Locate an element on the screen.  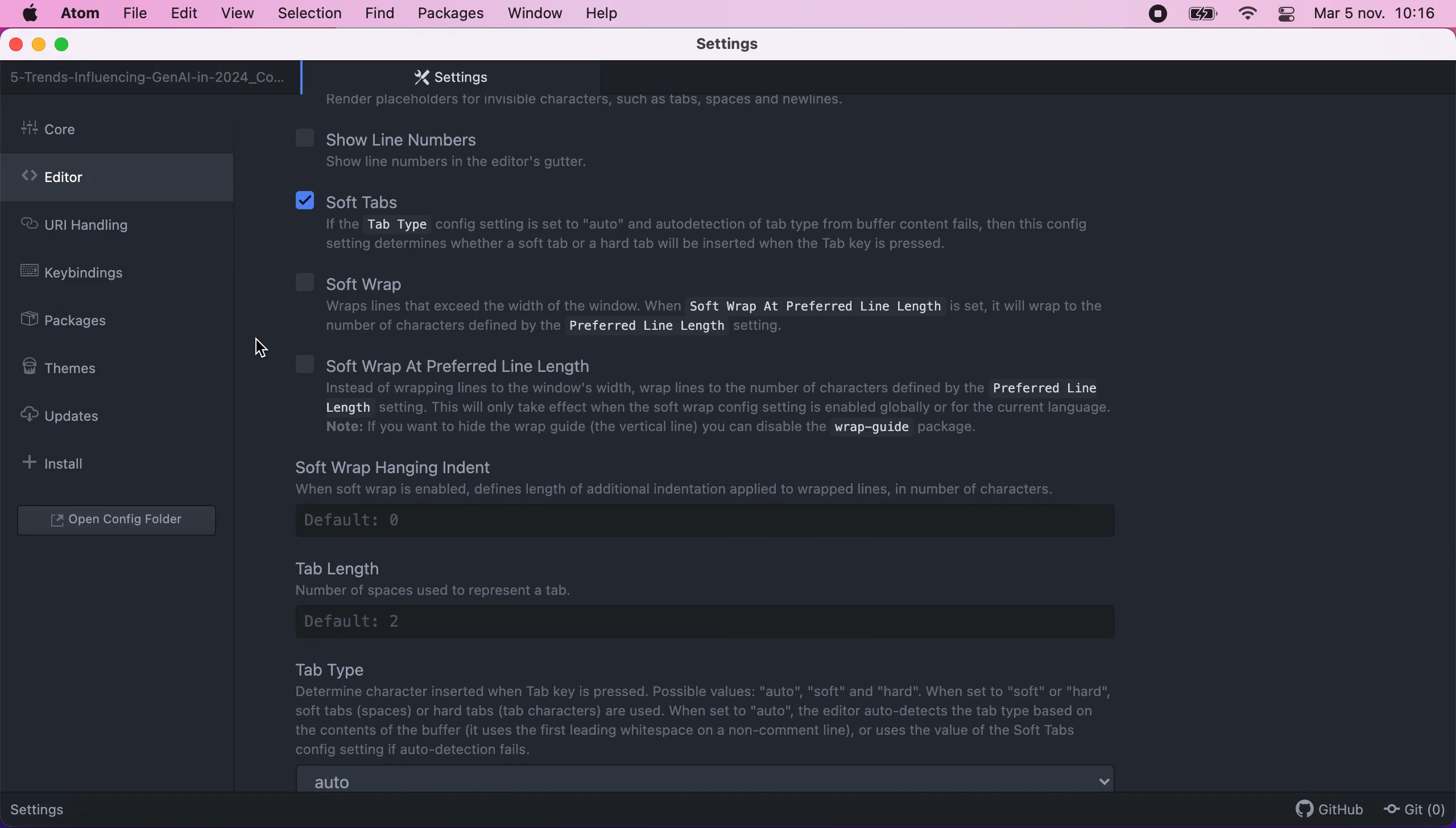
github is located at coordinates (1324, 809).